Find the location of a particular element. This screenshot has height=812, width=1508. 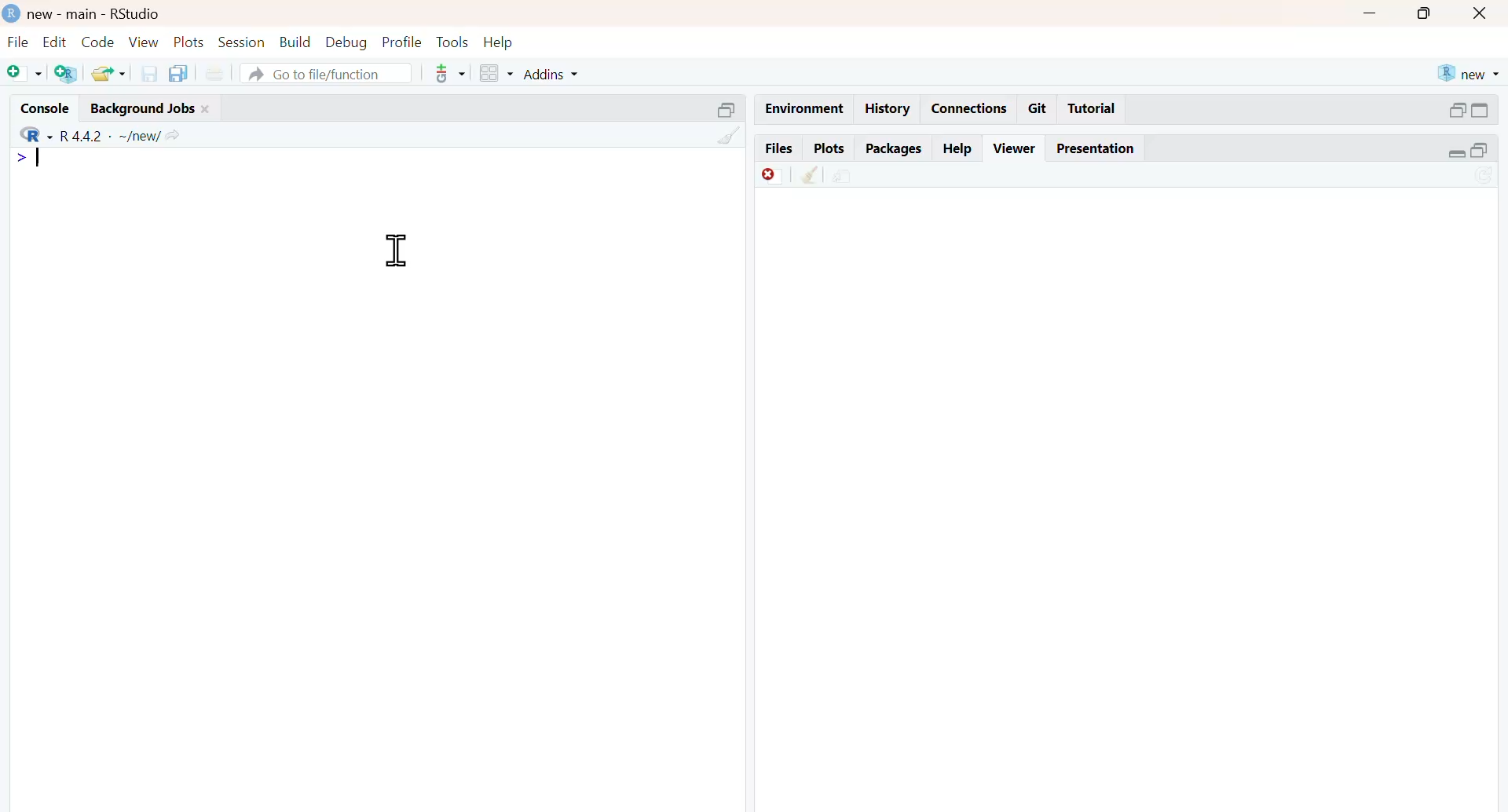

view is located at coordinates (144, 42).